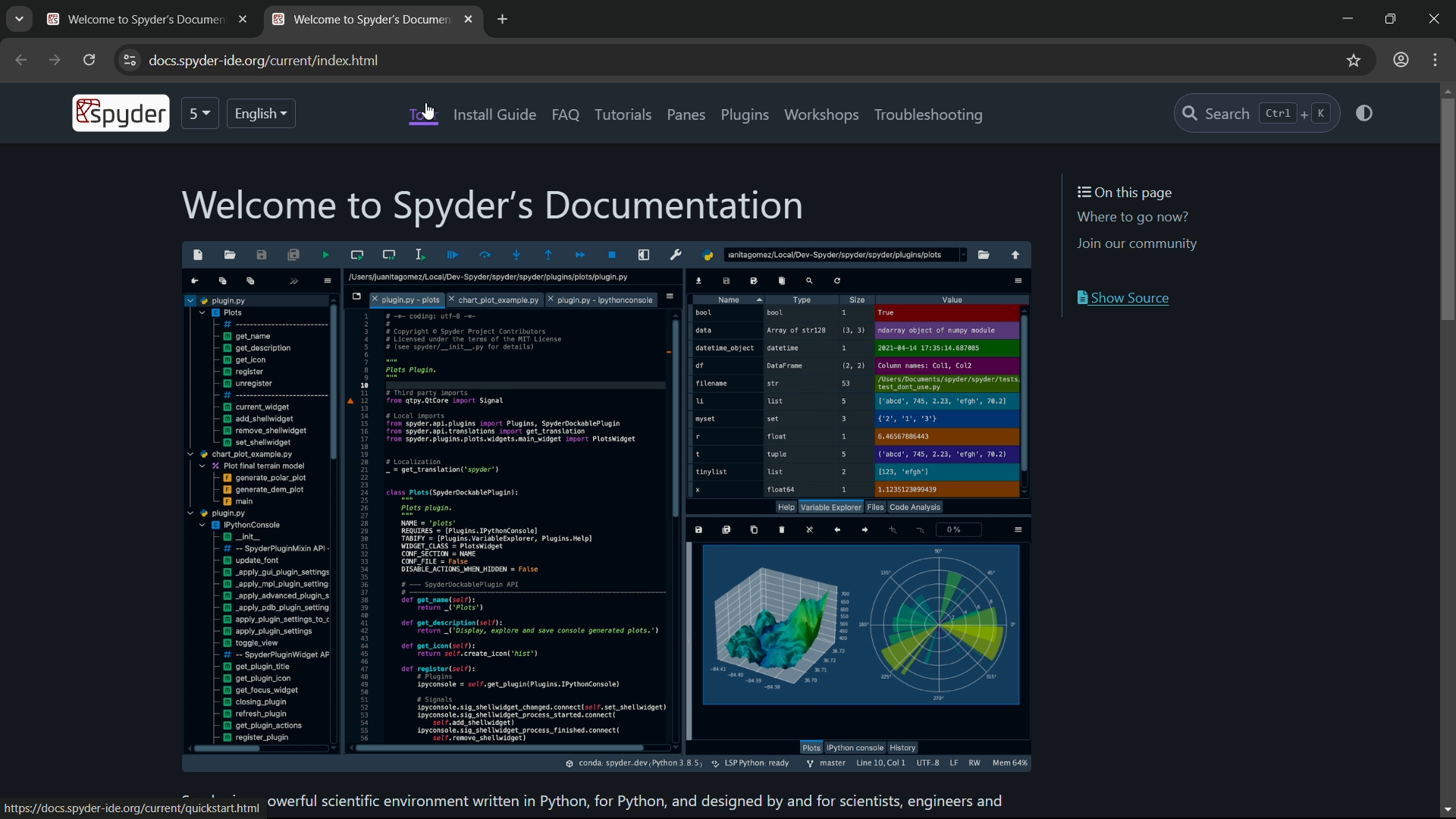 This screenshot has height=819, width=1456. I want to click on new tab, so click(504, 20).